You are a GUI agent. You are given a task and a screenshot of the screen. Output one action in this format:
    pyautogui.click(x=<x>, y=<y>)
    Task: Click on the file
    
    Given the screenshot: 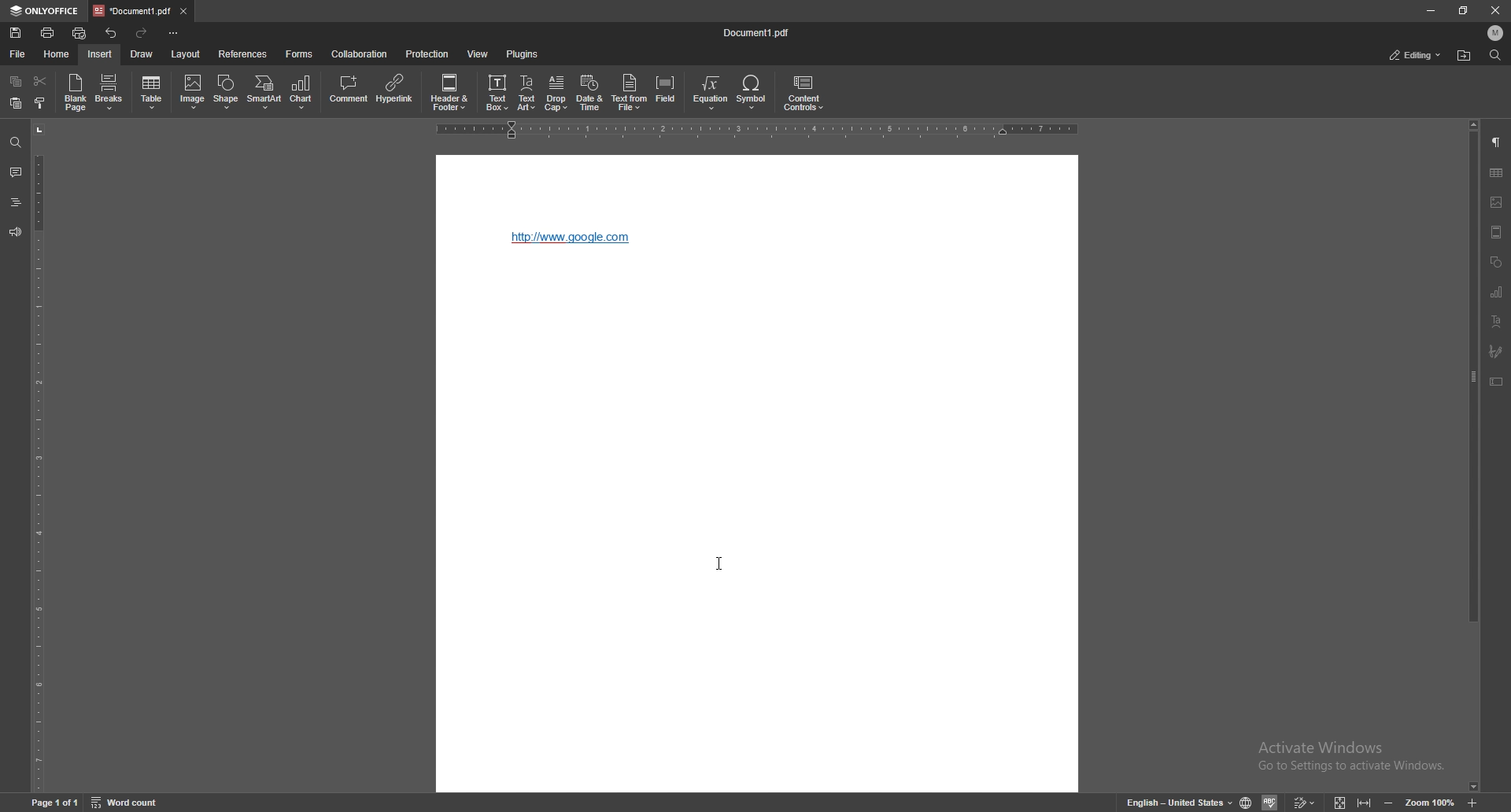 What is the action you would take?
    pyautogui.click(x=17, y=54)
    